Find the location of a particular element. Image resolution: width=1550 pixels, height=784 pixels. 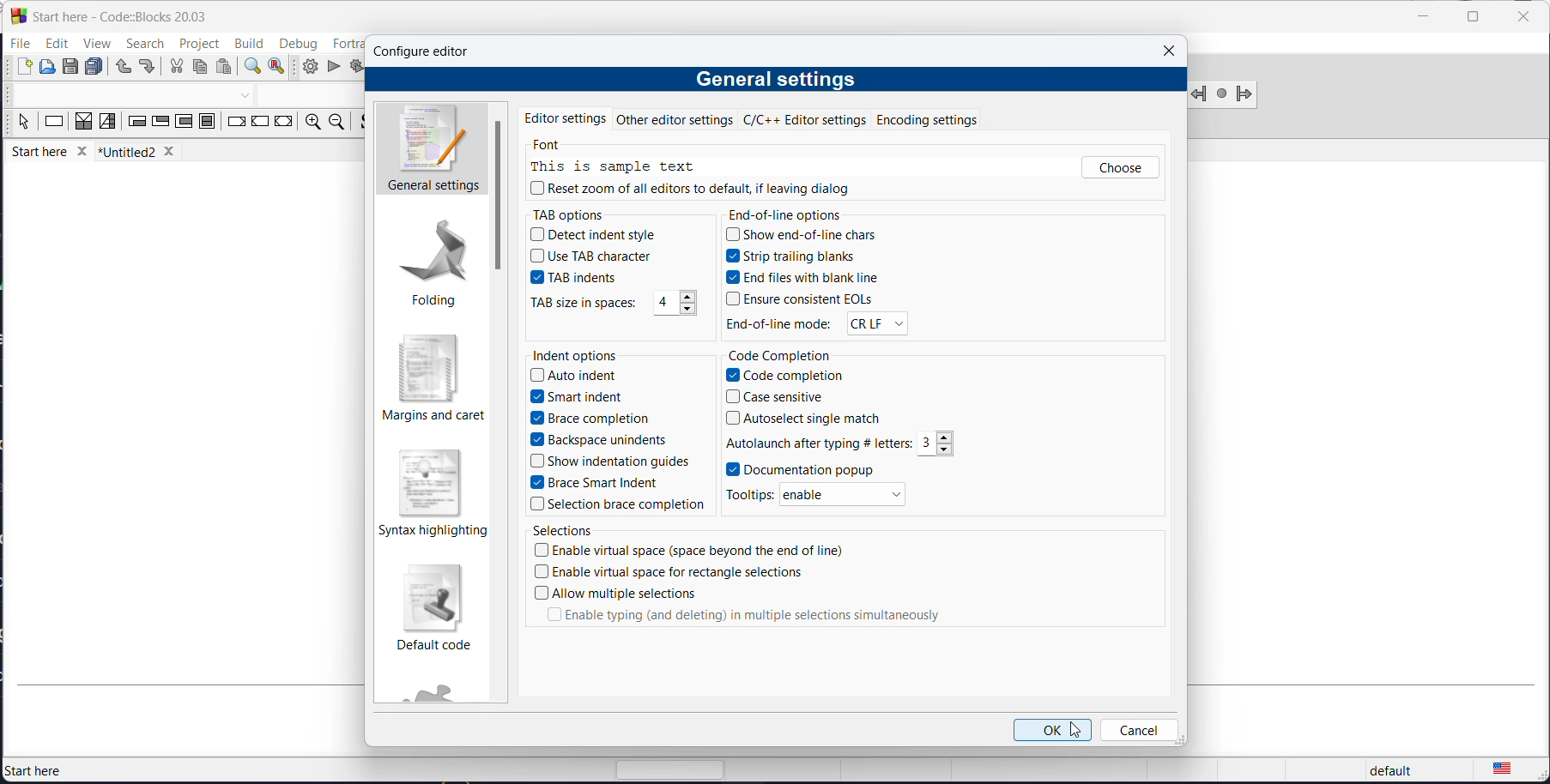

source comment is located at coordinates (363, 123).